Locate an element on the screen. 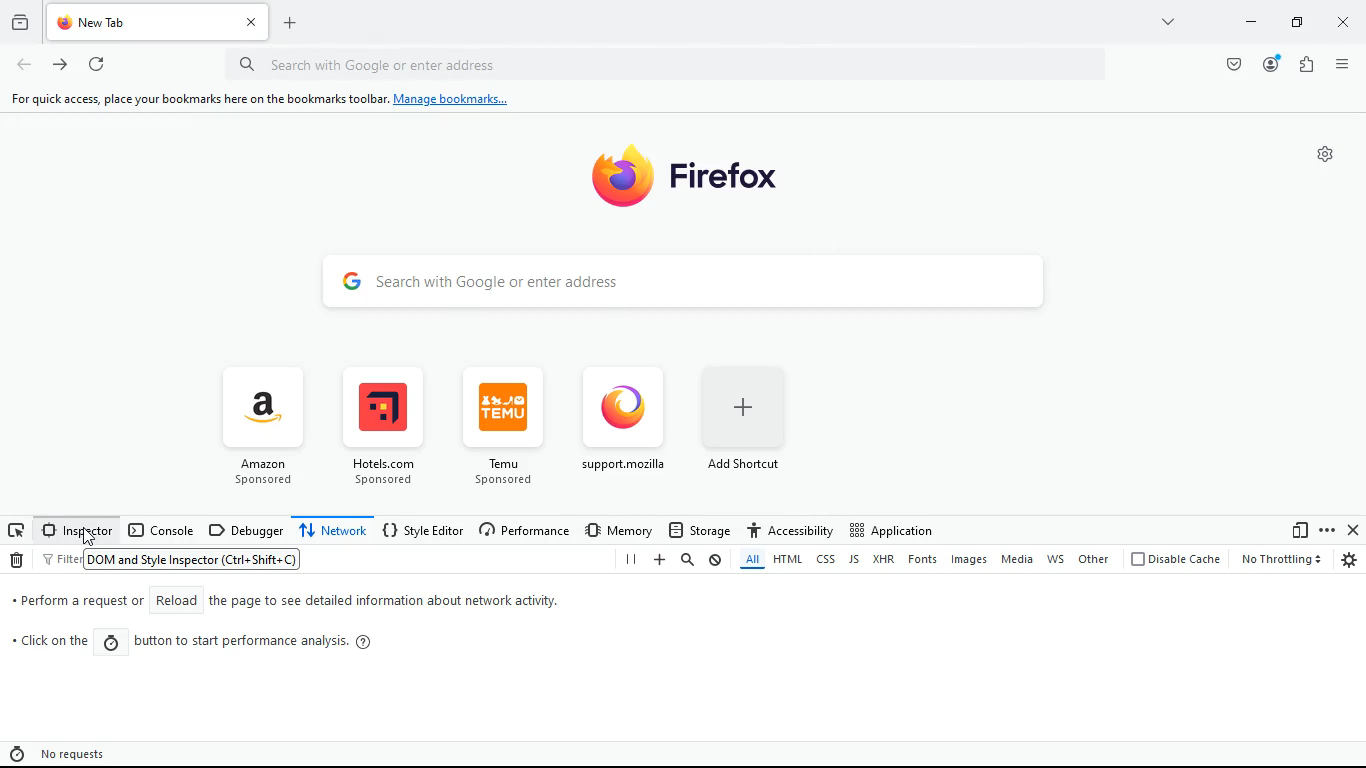  more is located at coordinates (1166, 21).